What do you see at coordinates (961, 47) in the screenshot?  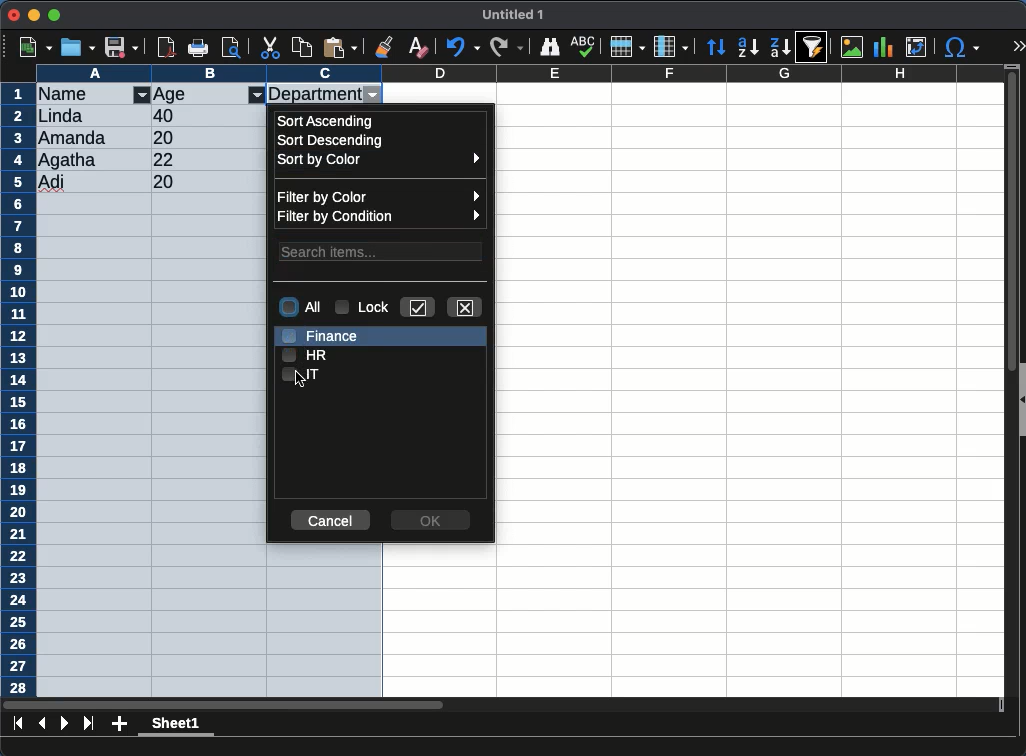 I see `special character` at bounding box center [961, 47].